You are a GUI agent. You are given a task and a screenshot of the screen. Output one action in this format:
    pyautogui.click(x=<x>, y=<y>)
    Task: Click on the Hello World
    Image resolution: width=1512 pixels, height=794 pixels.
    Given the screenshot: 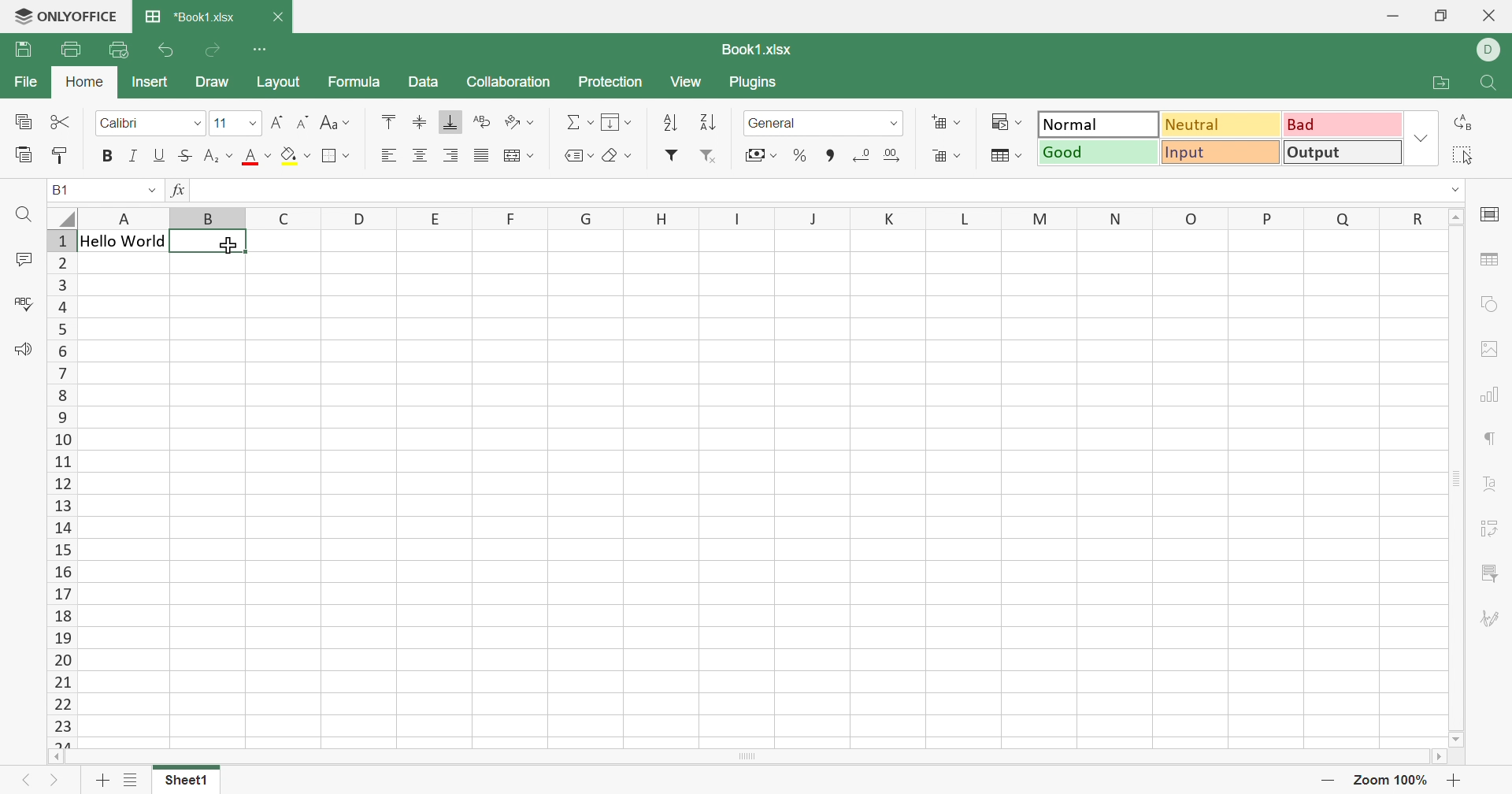 What is the action you would take?
    pyautogui.click(x=123, y=240)
    